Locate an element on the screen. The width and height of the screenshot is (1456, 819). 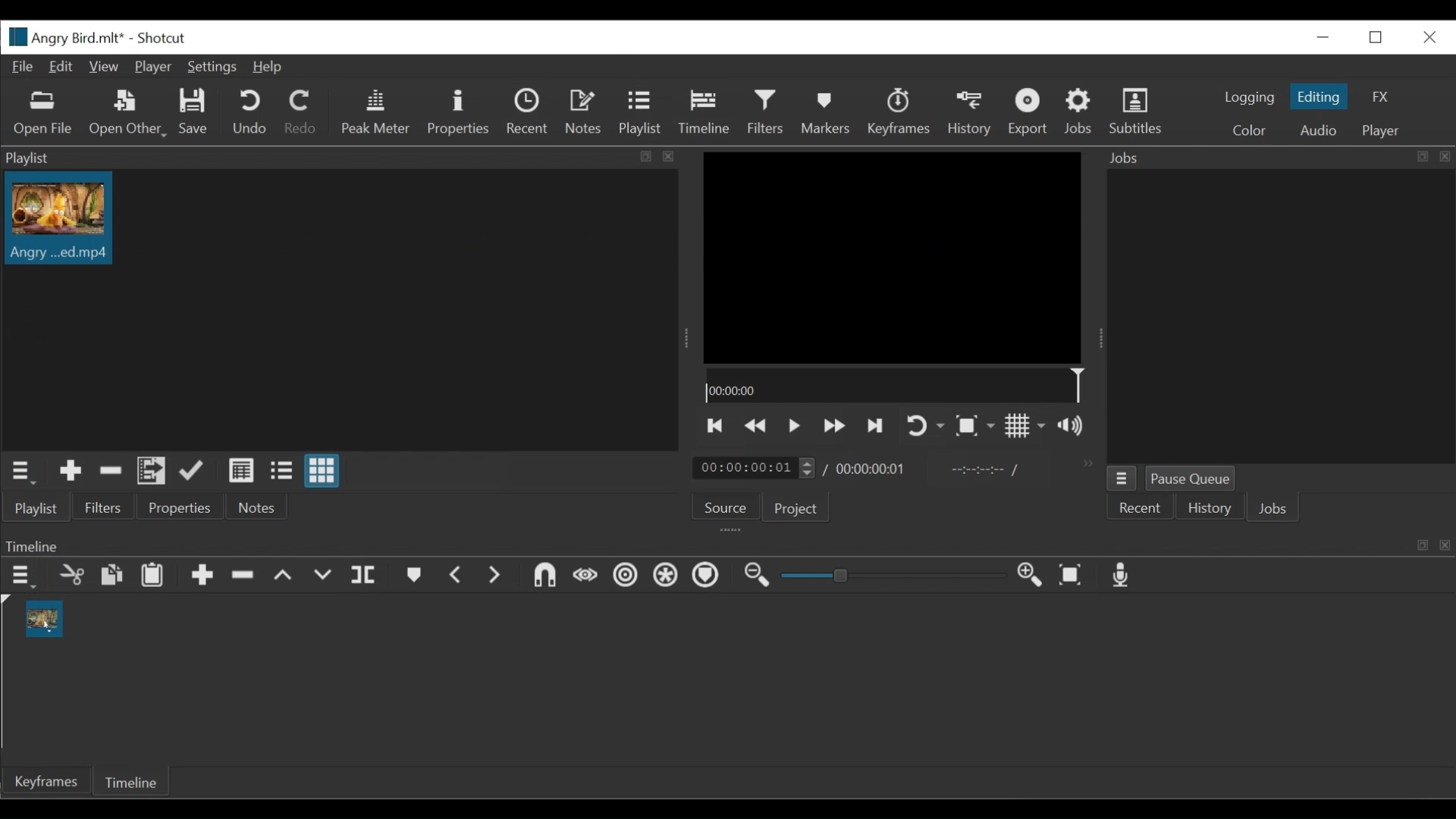
Add Source to the playlist is located at coordinates (74, 472).